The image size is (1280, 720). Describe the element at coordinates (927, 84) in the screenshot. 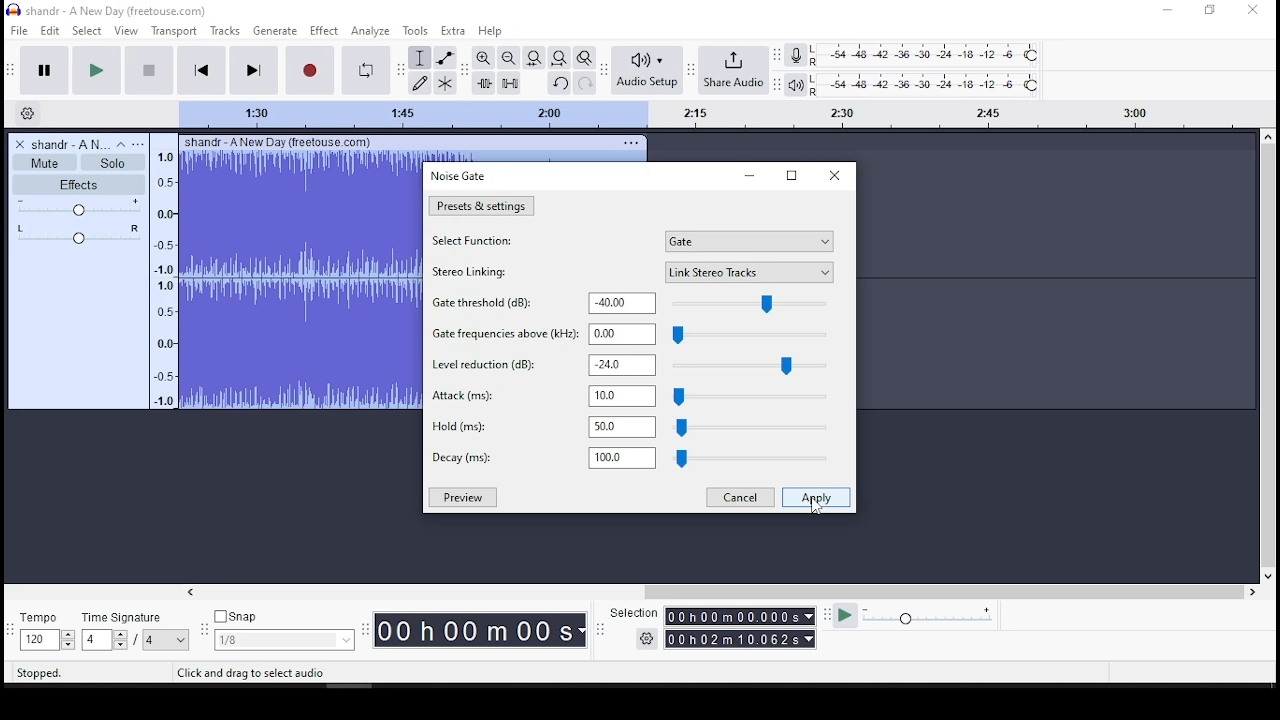

I see `playback level ` at that location.